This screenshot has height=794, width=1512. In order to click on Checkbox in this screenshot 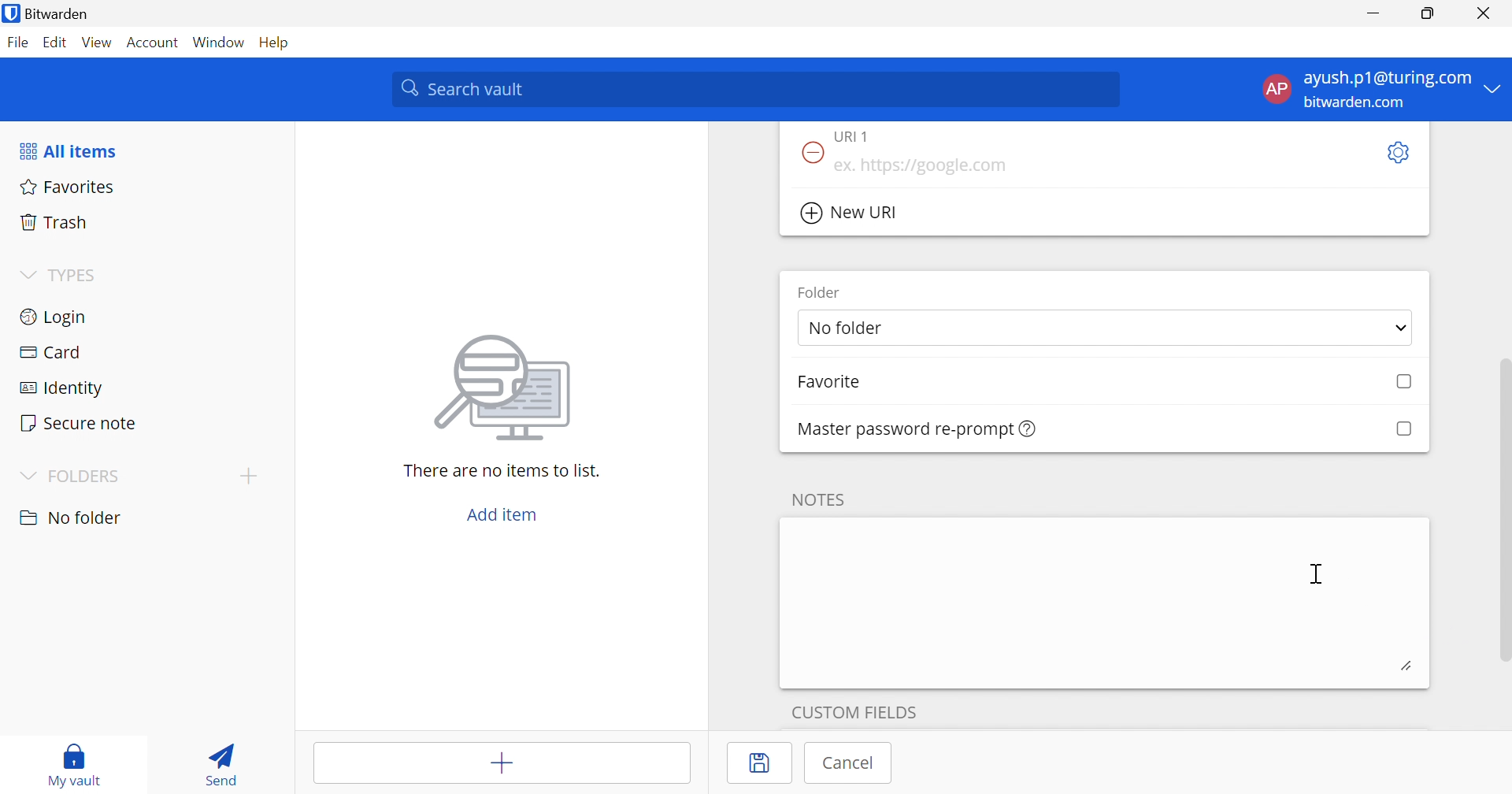, I will do `click(1403, 429)`.